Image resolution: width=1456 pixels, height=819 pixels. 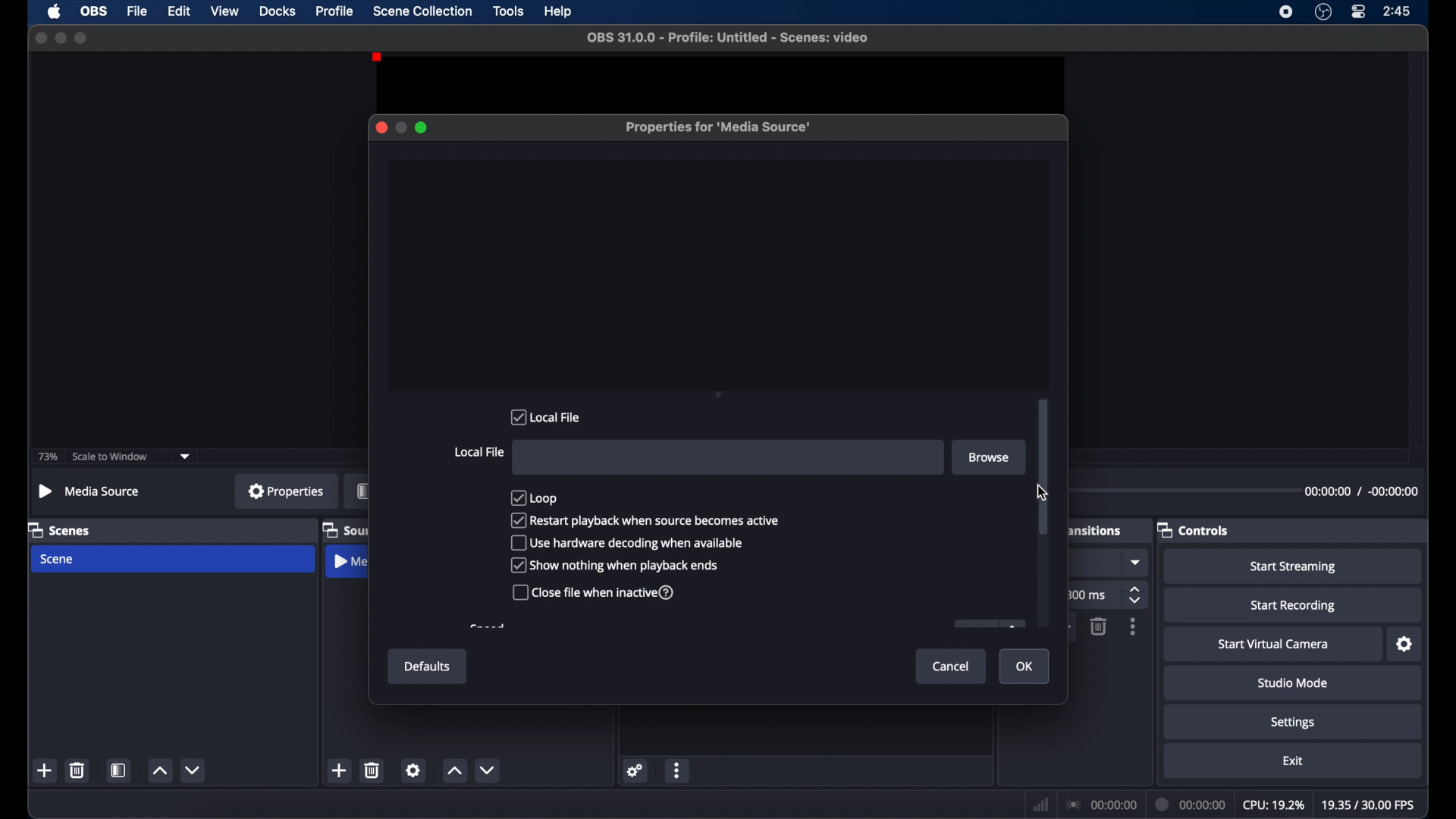 What do you see at coordinates (1137, 563) in the screenshot?
I see `dropdown` at bounding box center [1137, 563].